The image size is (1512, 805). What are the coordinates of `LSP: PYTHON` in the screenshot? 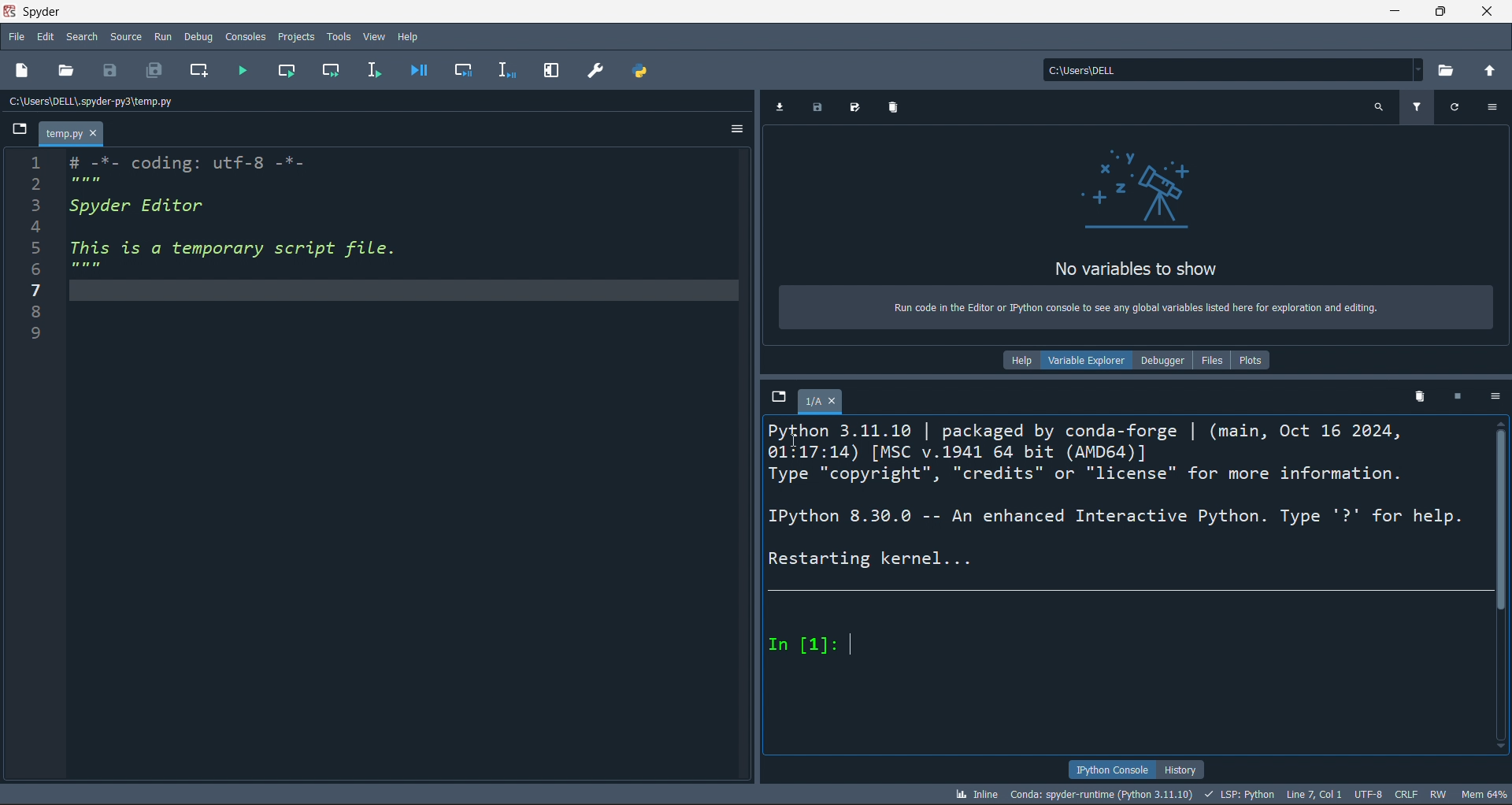 It's located at (1240, 793).